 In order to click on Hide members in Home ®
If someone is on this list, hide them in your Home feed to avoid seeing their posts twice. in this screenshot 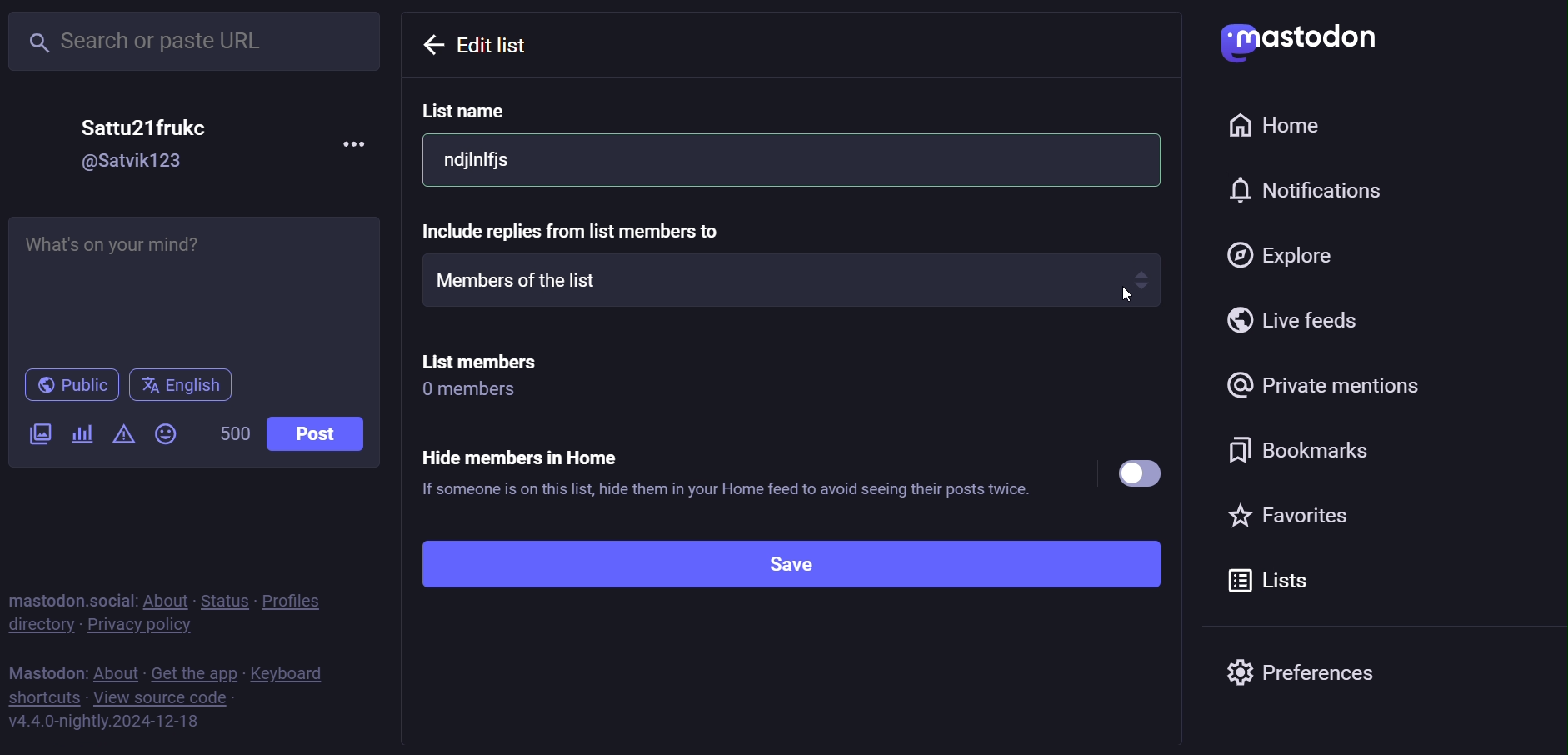, I will do `click(791, 470)`.